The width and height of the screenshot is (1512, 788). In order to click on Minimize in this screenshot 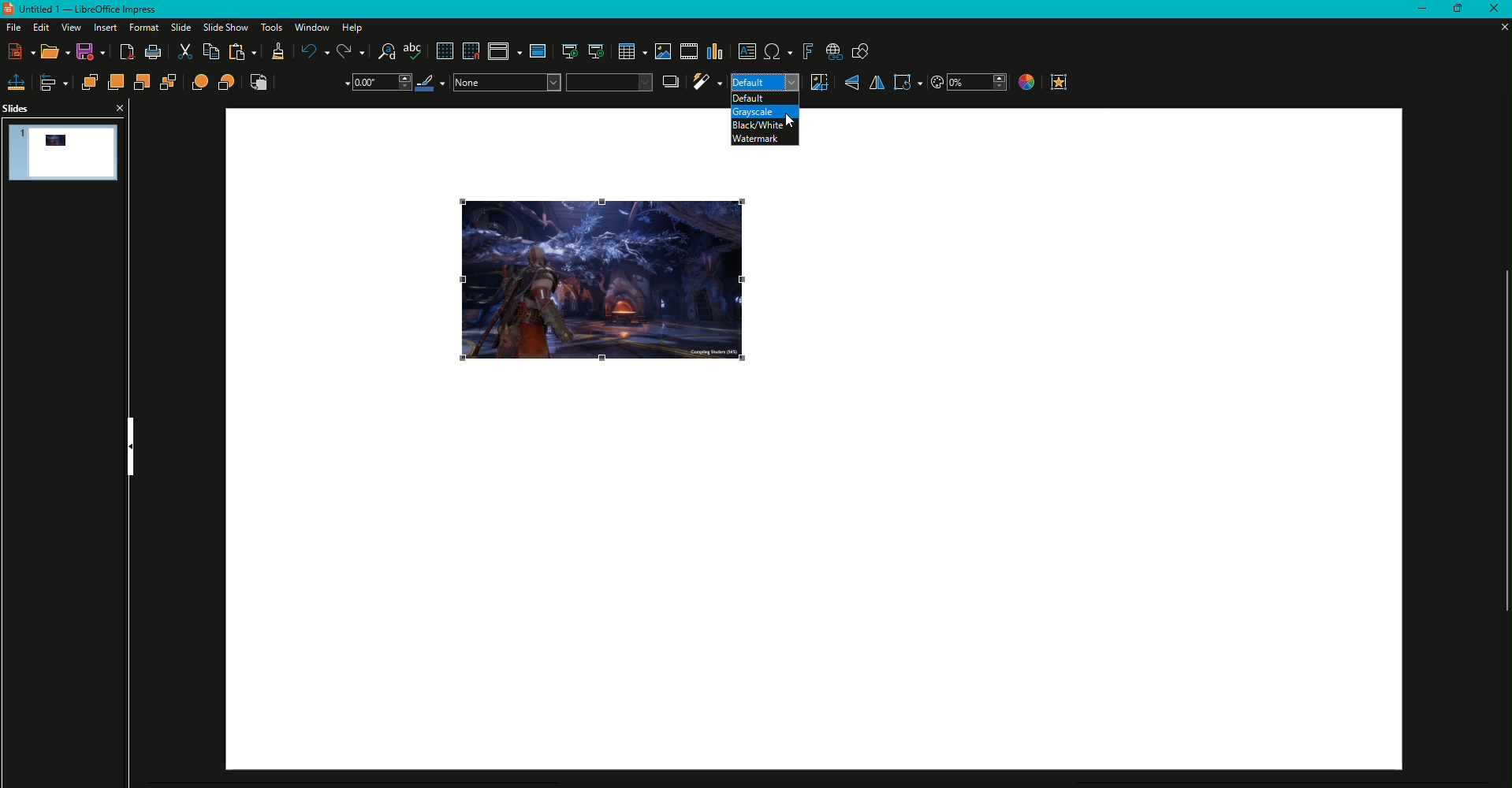, I will do `click(1415, 9)`.